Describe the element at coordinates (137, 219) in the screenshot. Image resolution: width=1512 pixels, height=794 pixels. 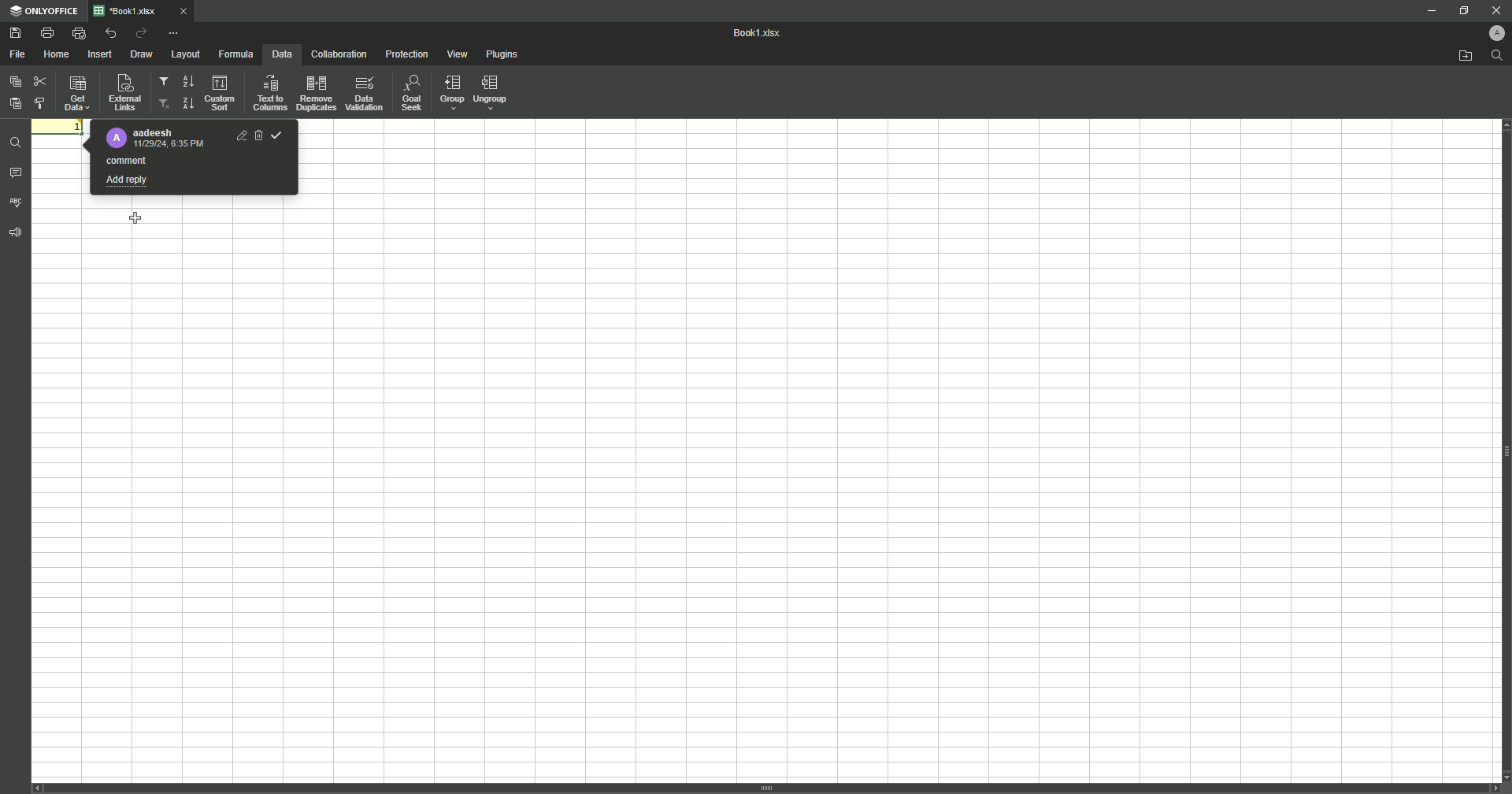
I see `Cursor` at that location.